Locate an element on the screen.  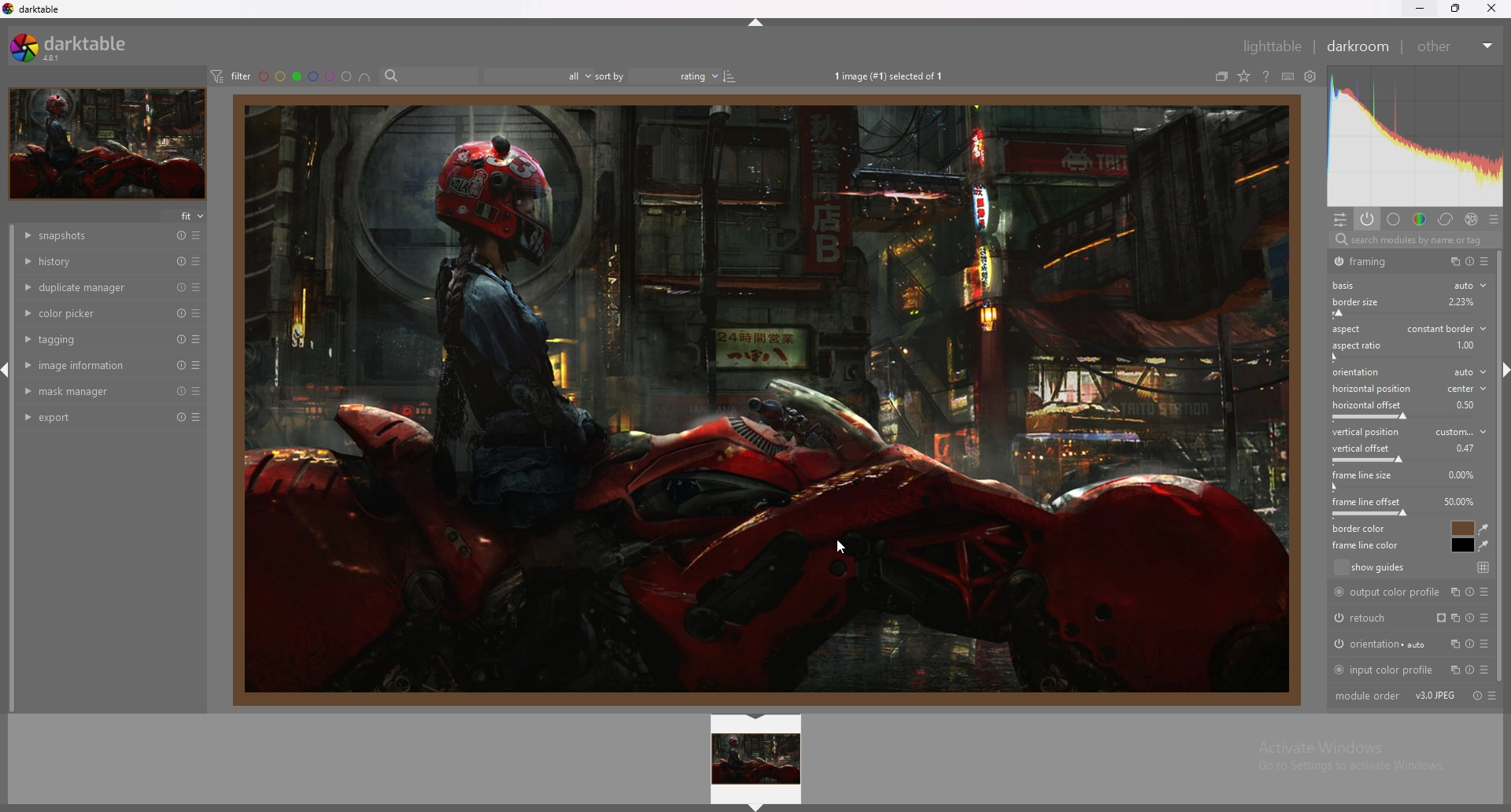
horizontal position is located at coordinates (1408, 389).